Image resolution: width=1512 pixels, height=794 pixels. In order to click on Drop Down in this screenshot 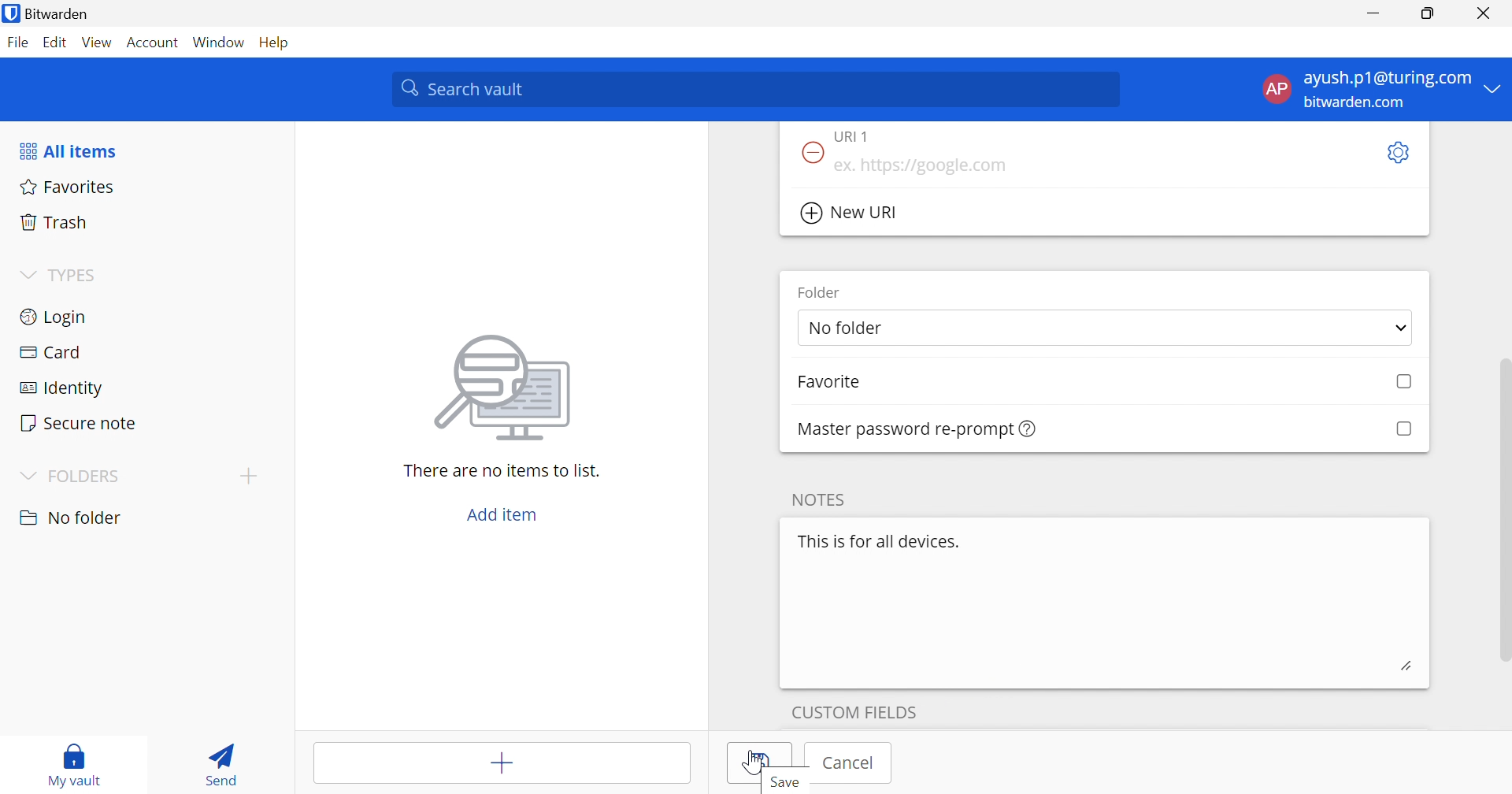, I will do `click(248, 475)`.